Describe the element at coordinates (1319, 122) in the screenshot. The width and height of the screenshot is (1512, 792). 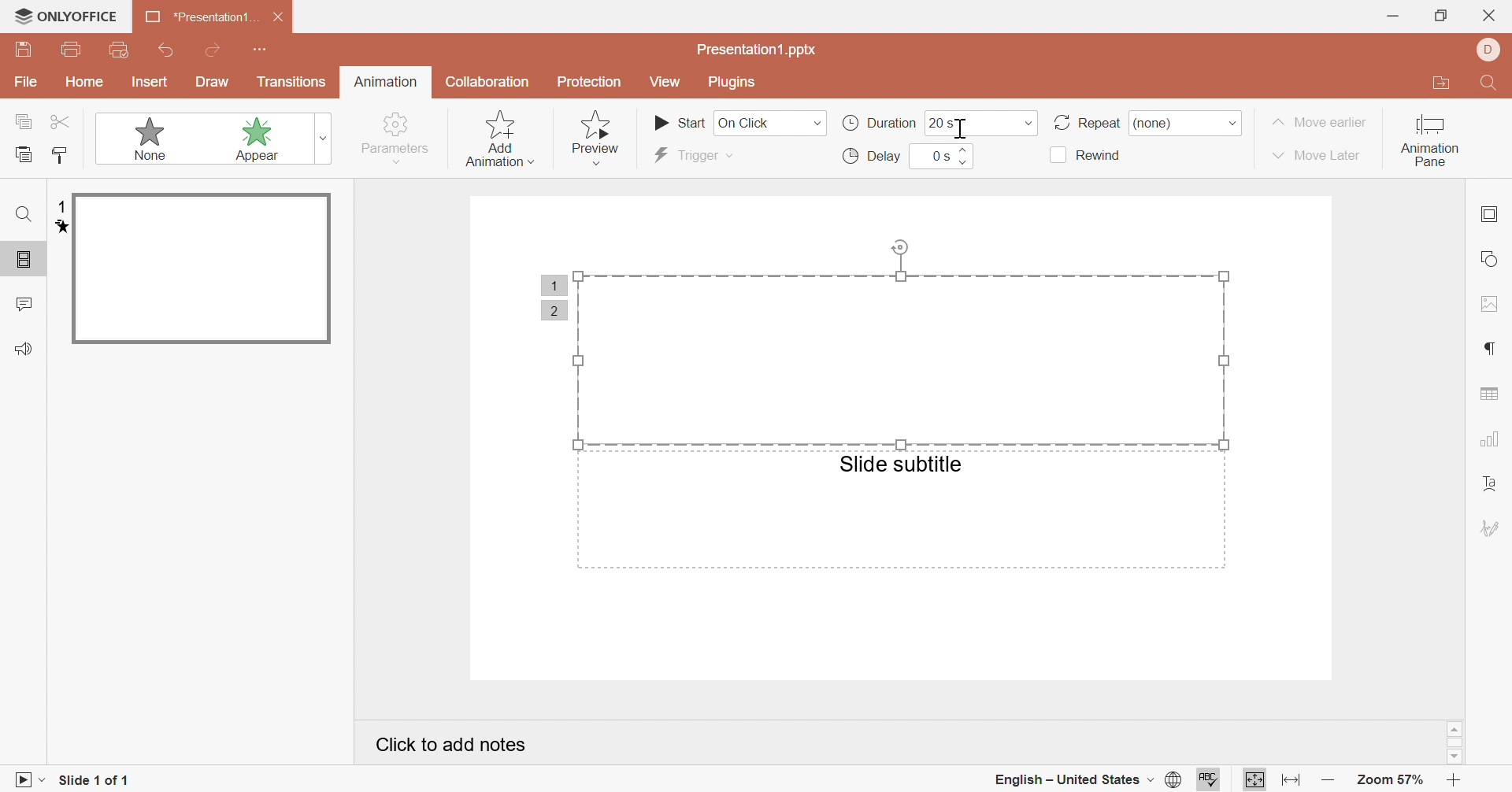
I see `move earlier` at that location.